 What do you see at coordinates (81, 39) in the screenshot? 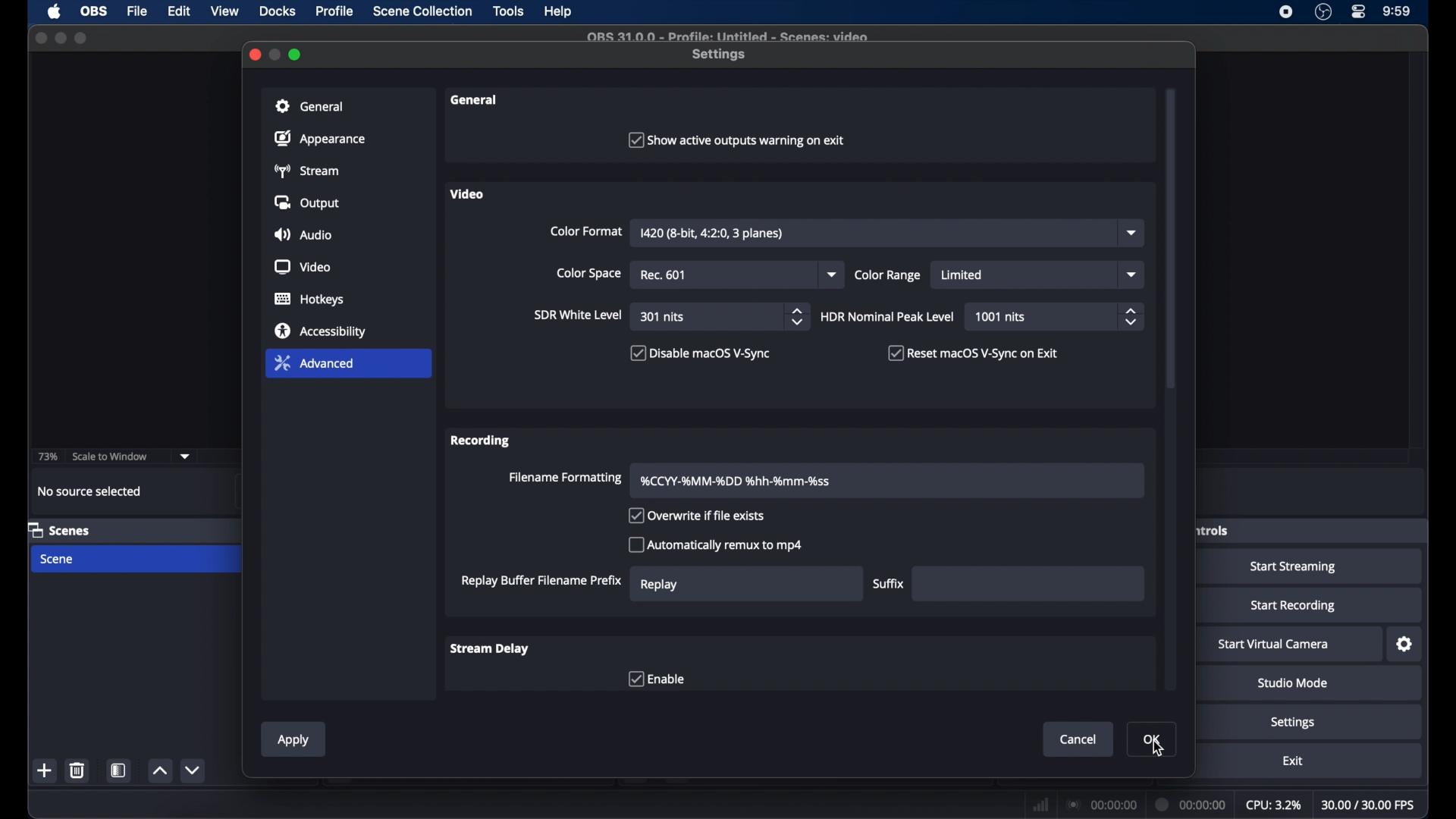
I see `maximize` at bounding box center [81, 39].